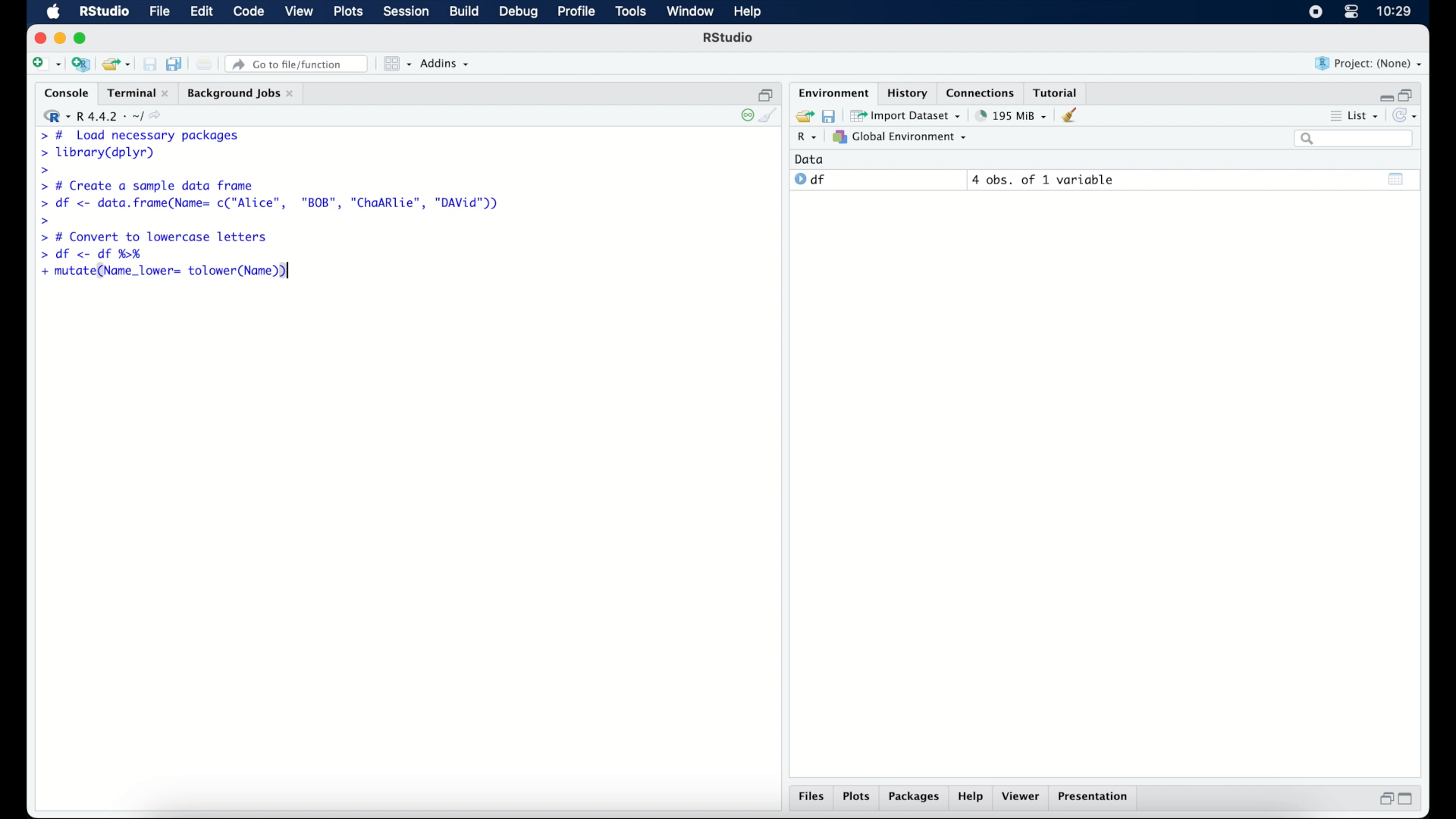 The height and width of the screenshot is (819, 1456). What do you see at coordinates (1046, 180) in the screenshot?
I see `4 obs, of 2 variables` at bounding box center [1046, 180].